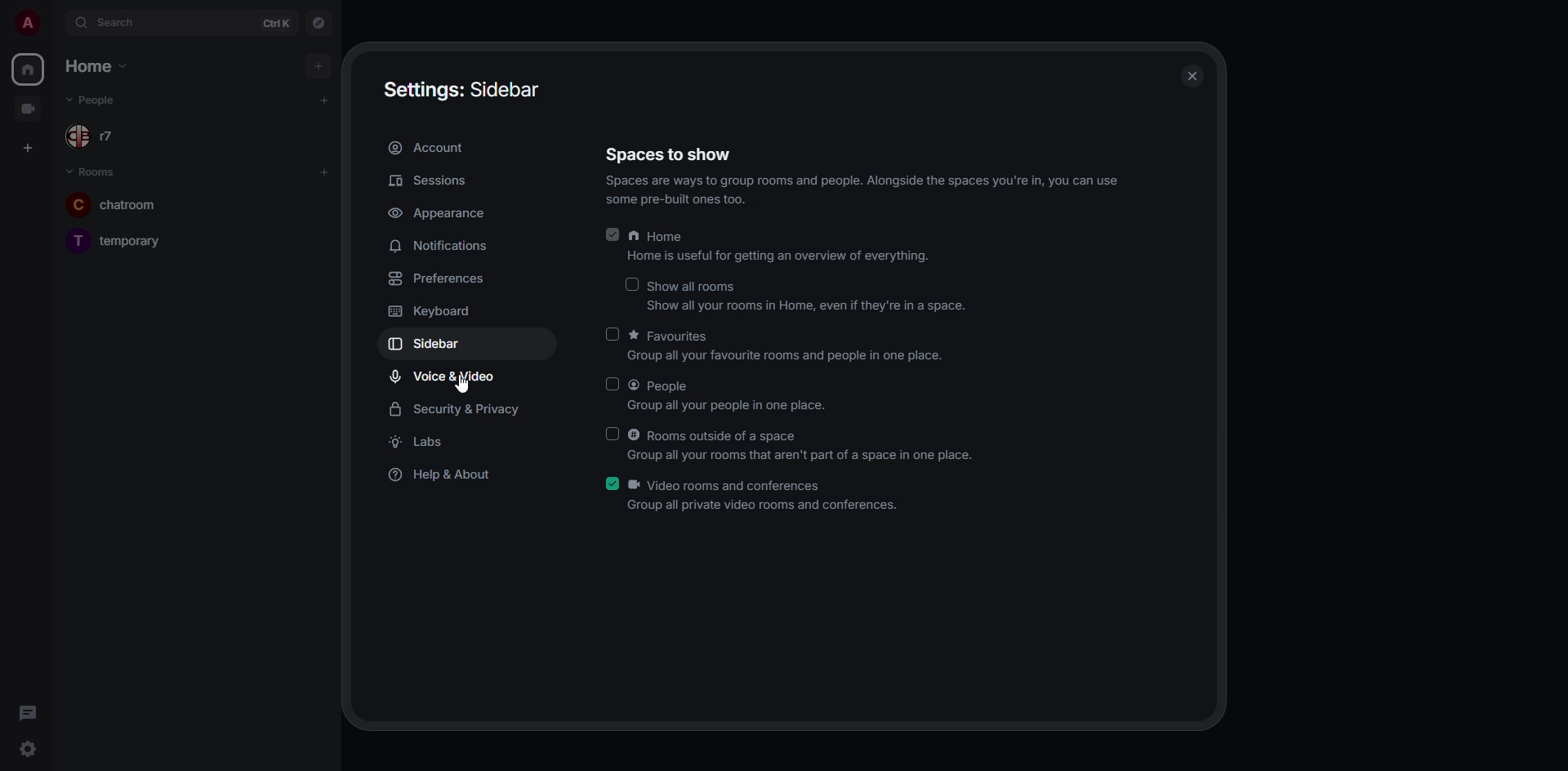 The width and height of the screenshot is (1568, 771). Describe the element at coordinates (28, 713) in the screenshot. I see `threads` at that location.